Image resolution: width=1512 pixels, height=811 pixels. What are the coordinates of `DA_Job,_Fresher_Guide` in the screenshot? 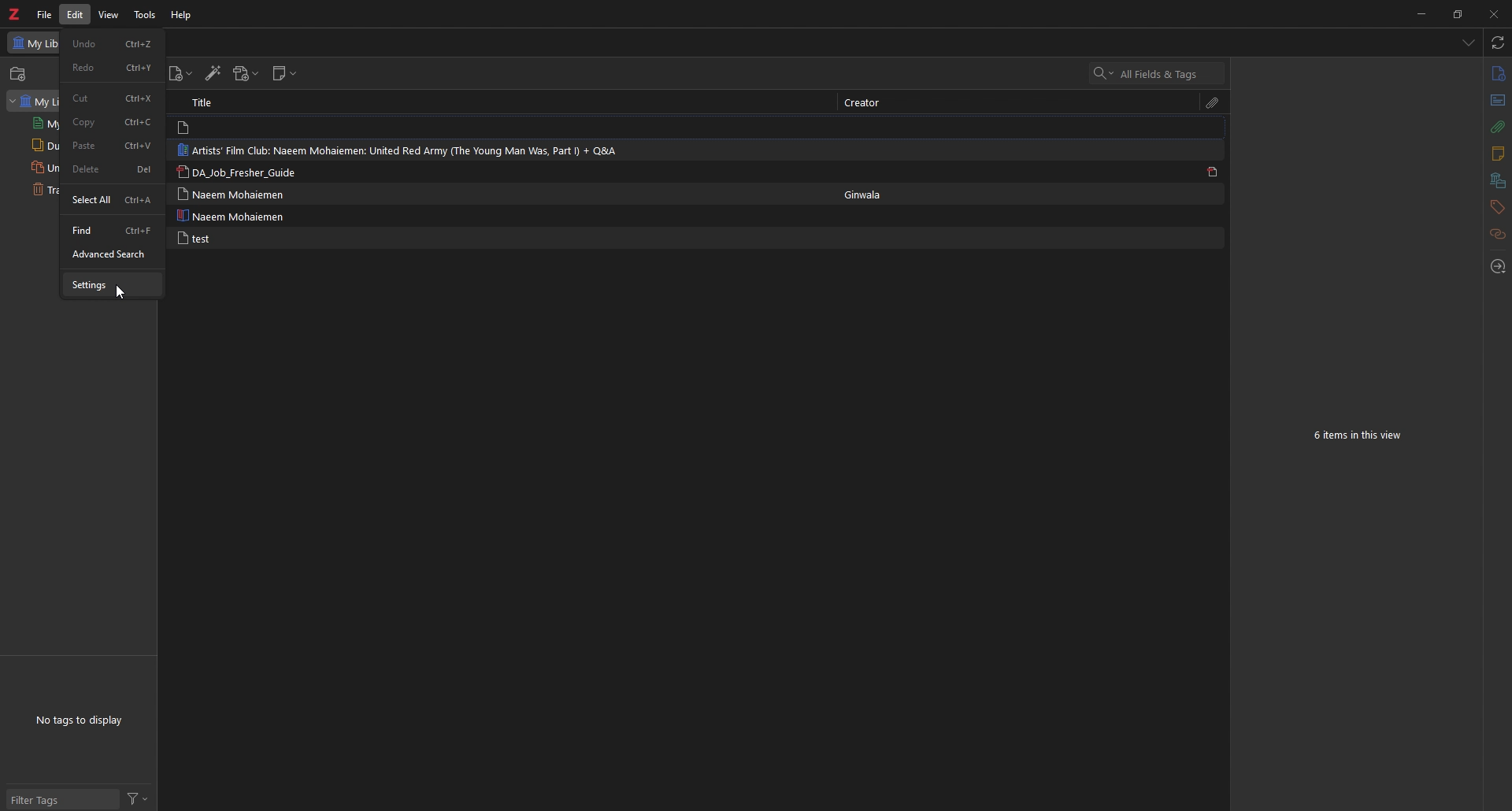 It's located at (246, 172).